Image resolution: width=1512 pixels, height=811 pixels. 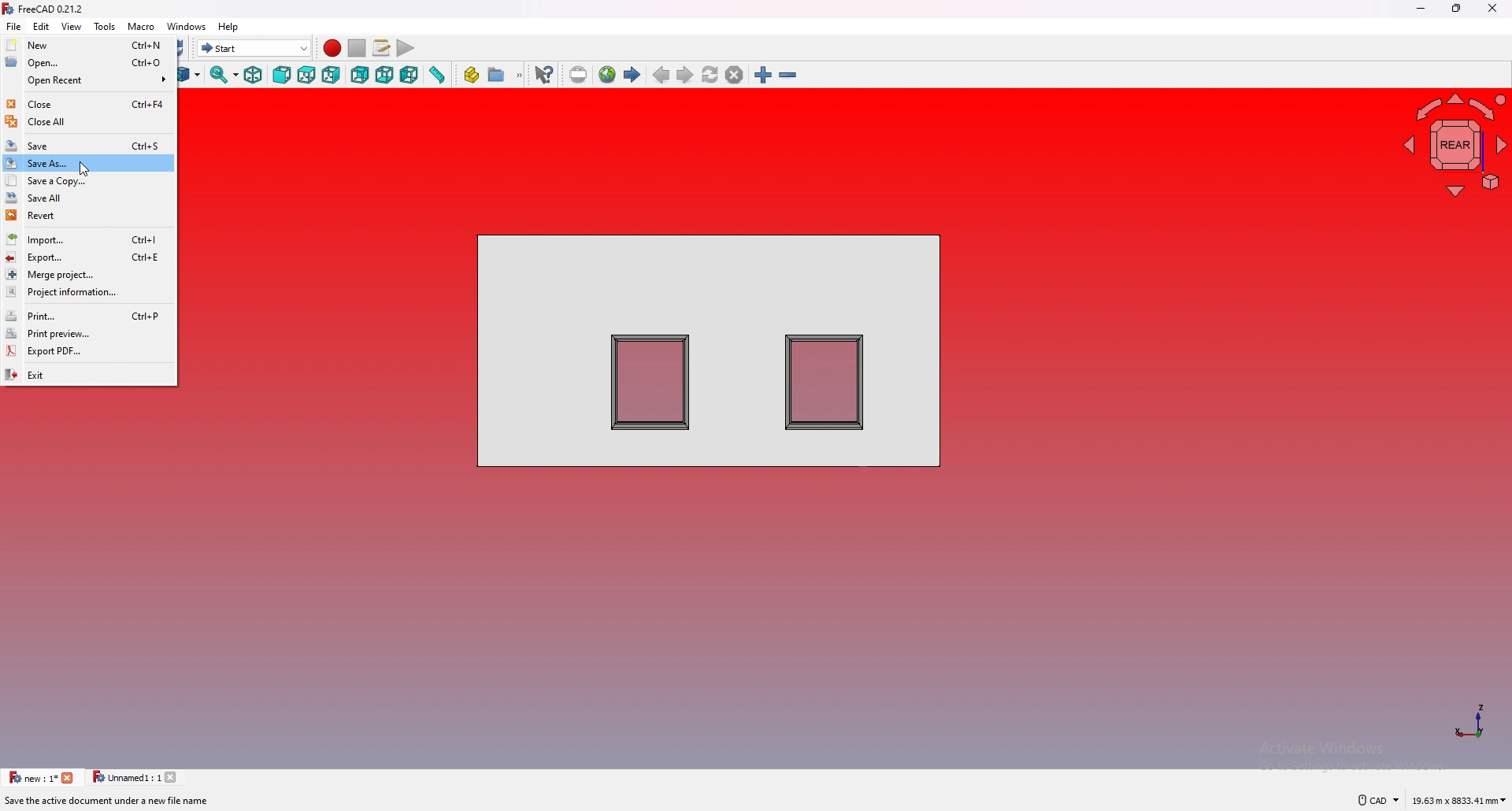 I want to click on record macros, so click(x=333, y=48).